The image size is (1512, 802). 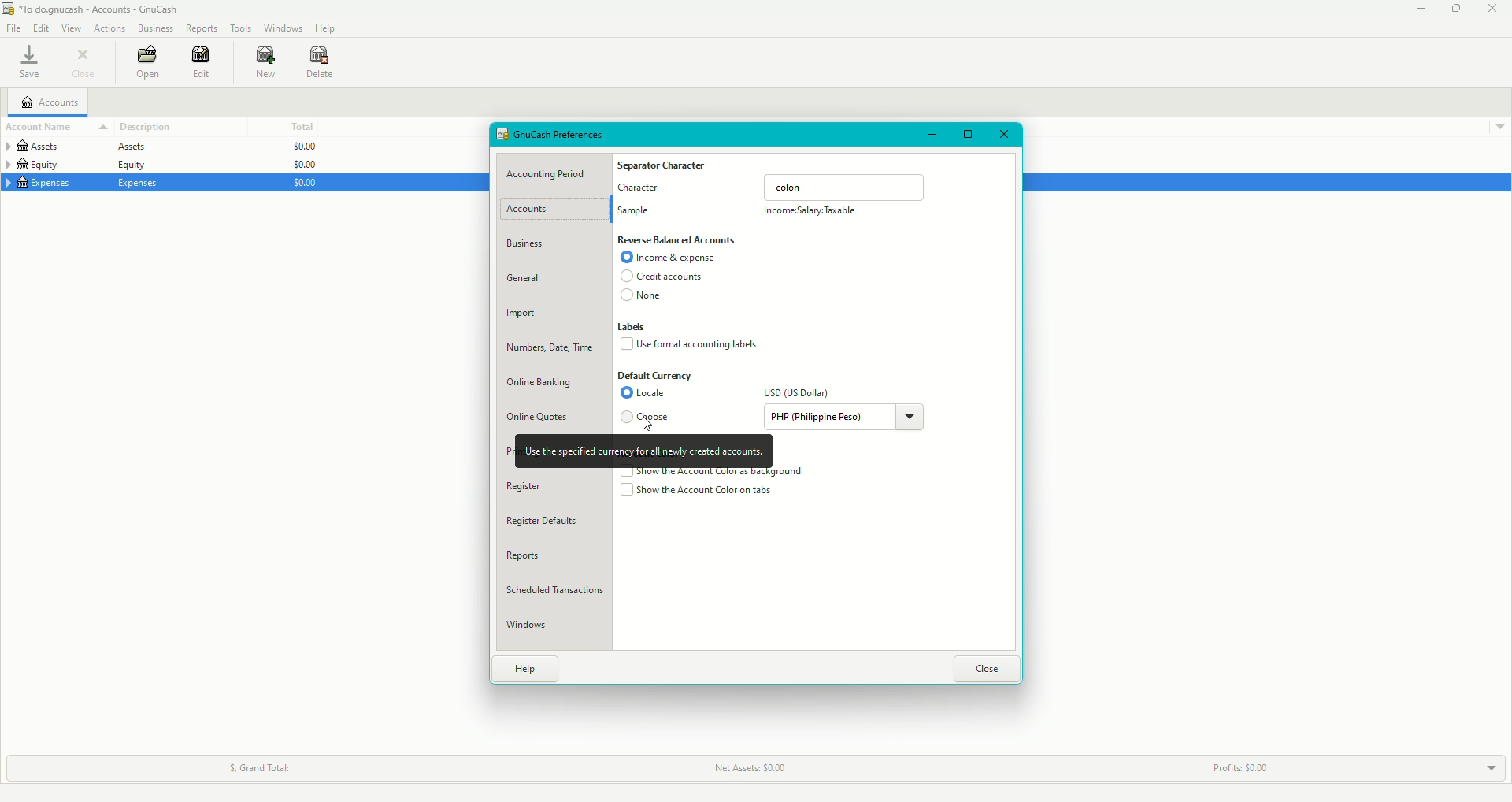 I want to click on Profits, so click(x=1236, y=769).